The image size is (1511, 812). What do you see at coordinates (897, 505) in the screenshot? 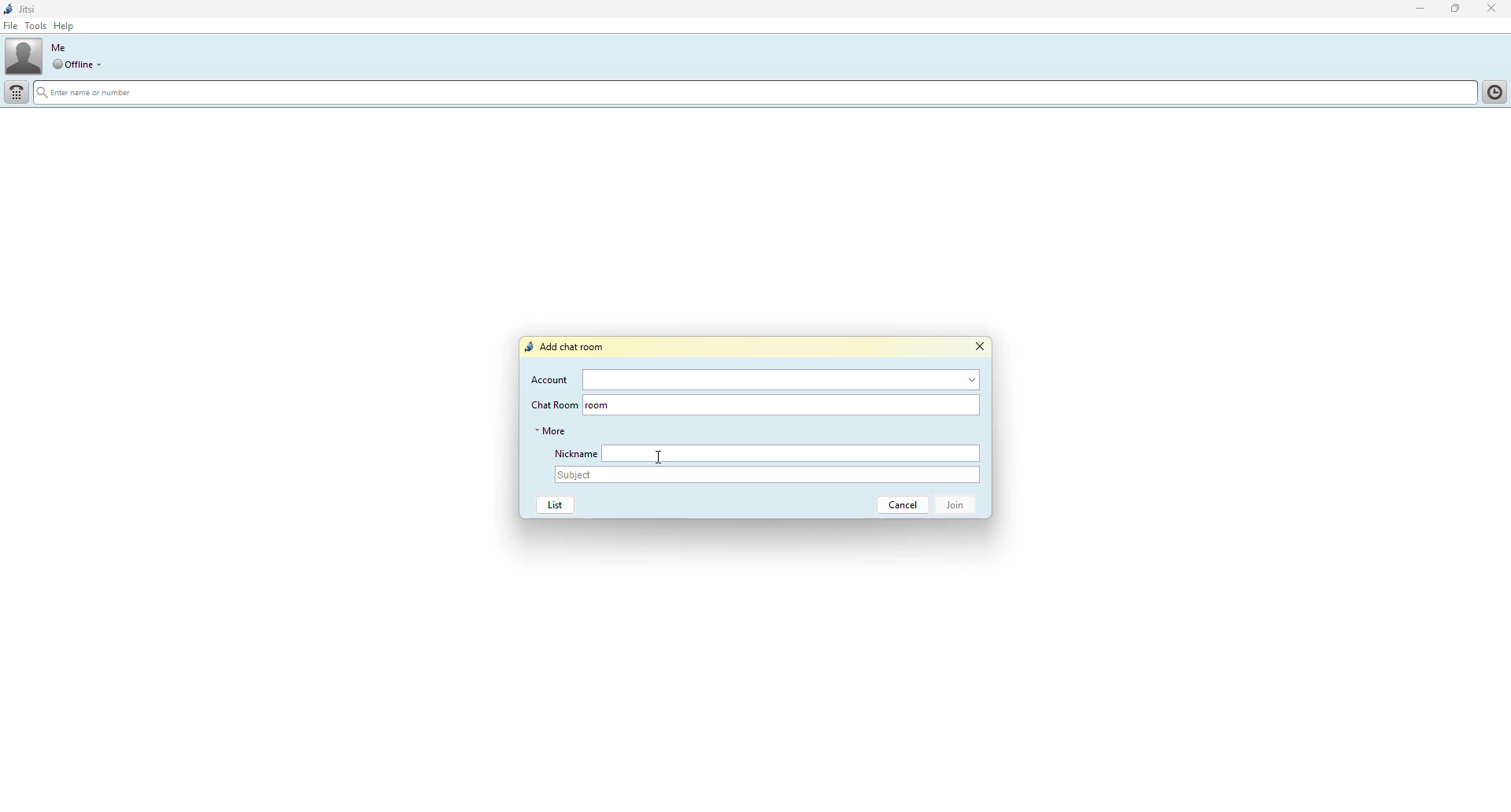
I see `cancel` at bounding box center [897, 505].